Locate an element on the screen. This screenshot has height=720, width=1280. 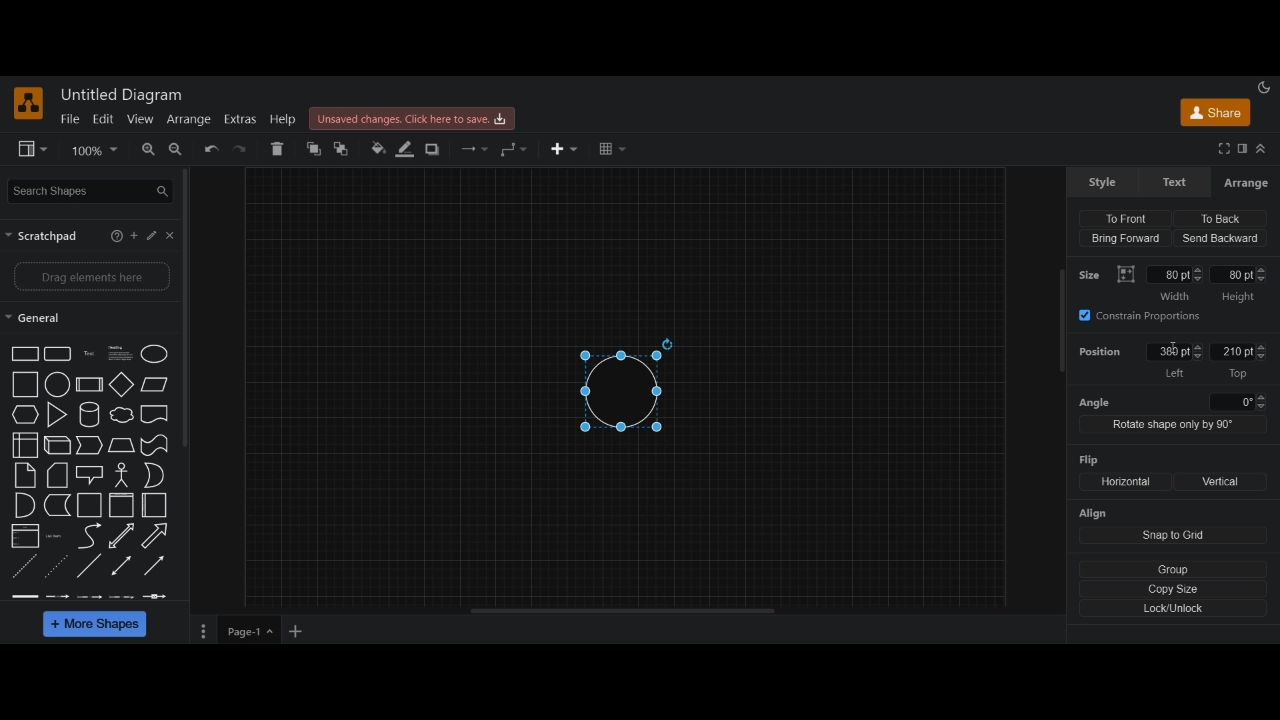
zoom is located at coordinates (95, 150).